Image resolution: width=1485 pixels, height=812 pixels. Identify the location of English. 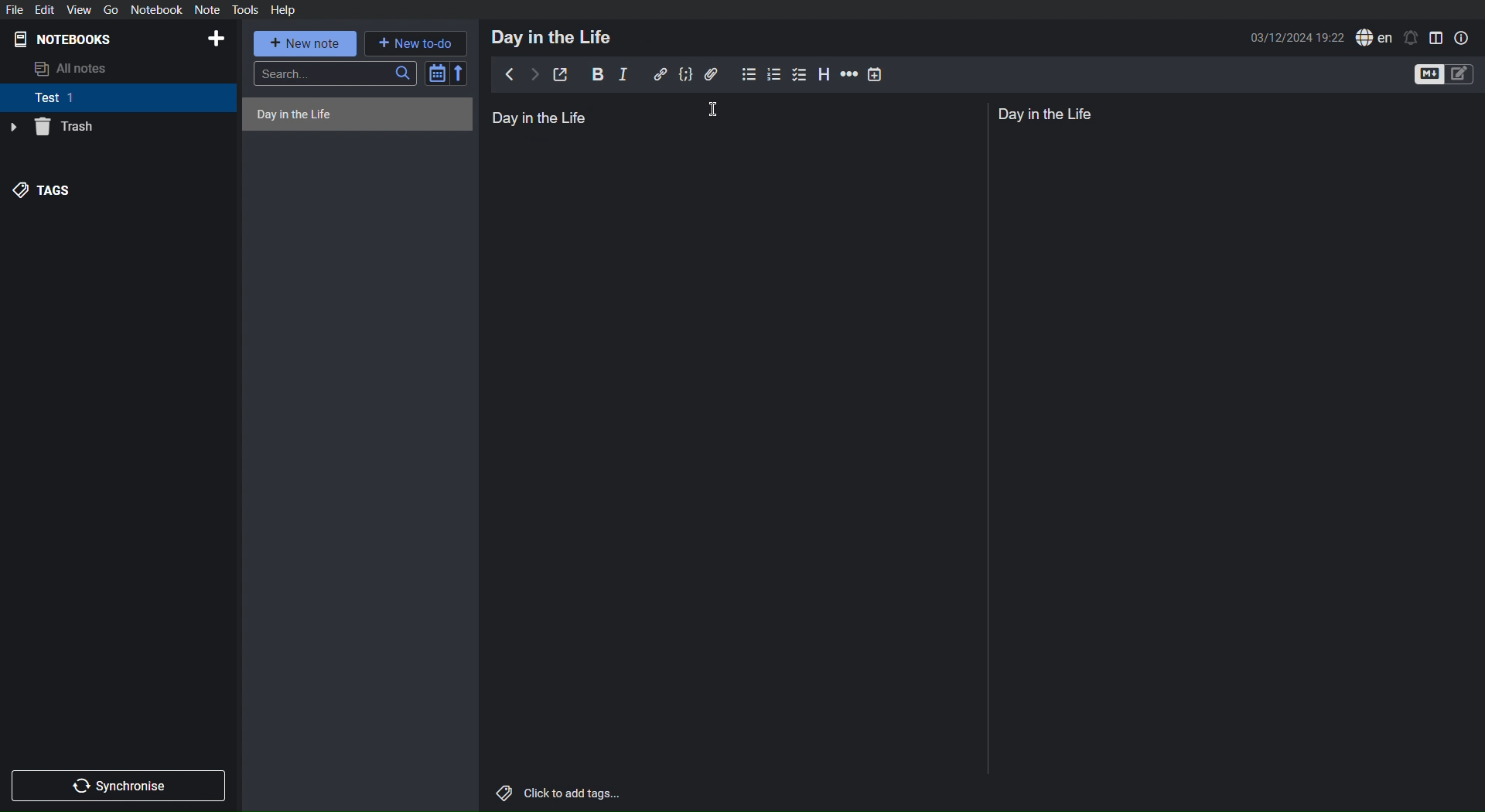
(1374, 38).